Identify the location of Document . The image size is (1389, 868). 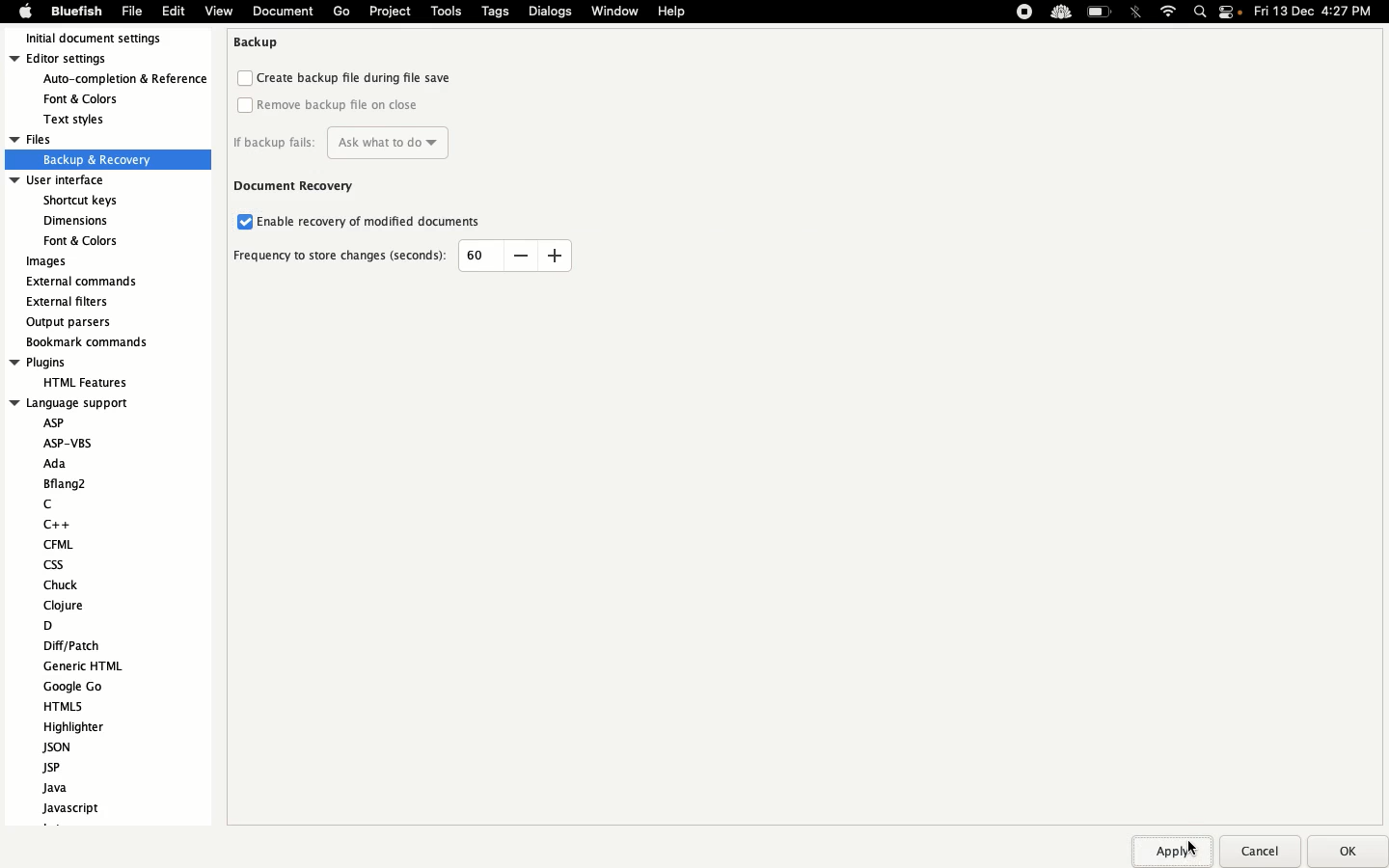
(282, 13).